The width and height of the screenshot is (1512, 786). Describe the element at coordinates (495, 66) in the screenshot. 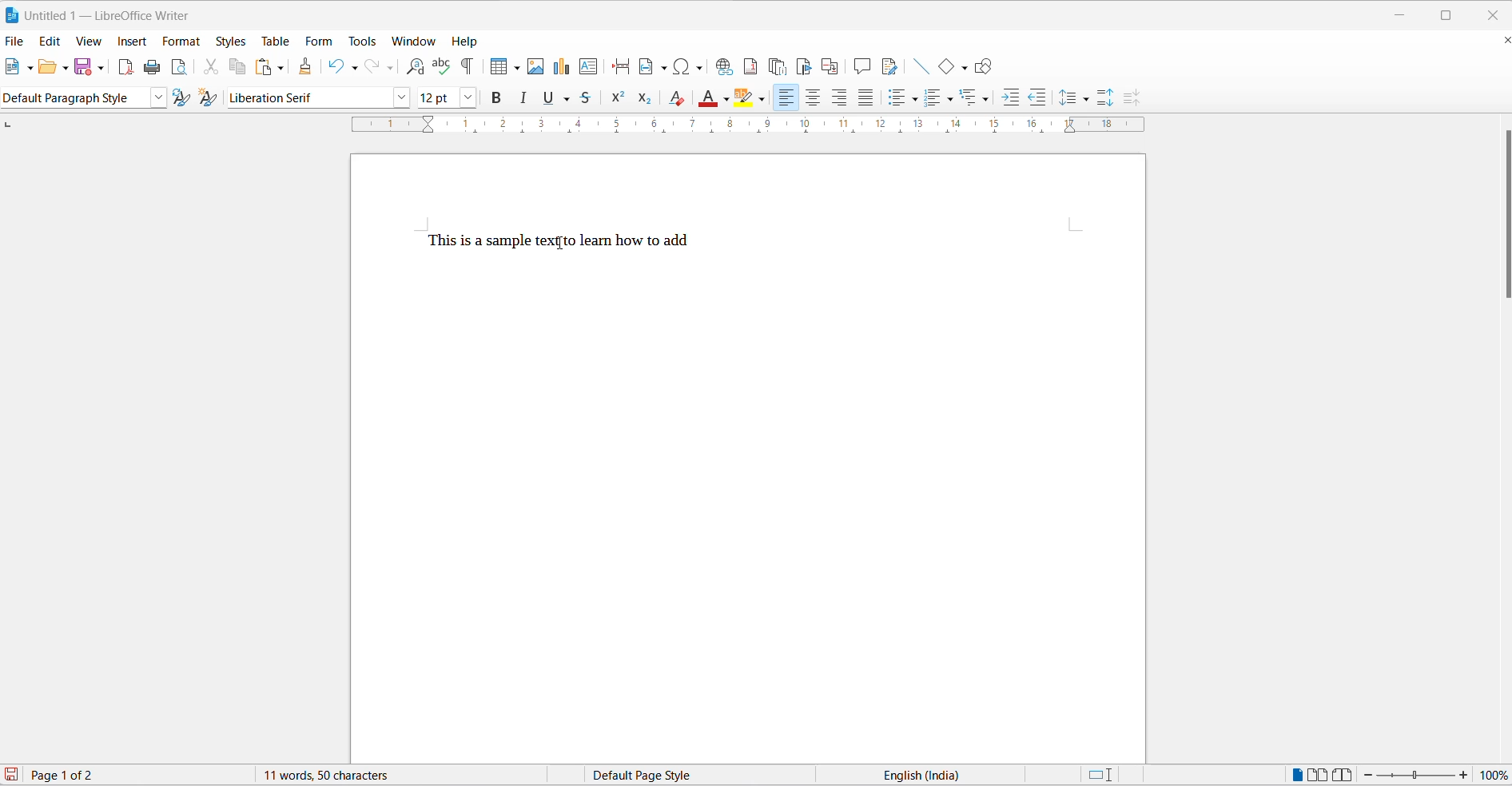

I see `insert table` at that location.